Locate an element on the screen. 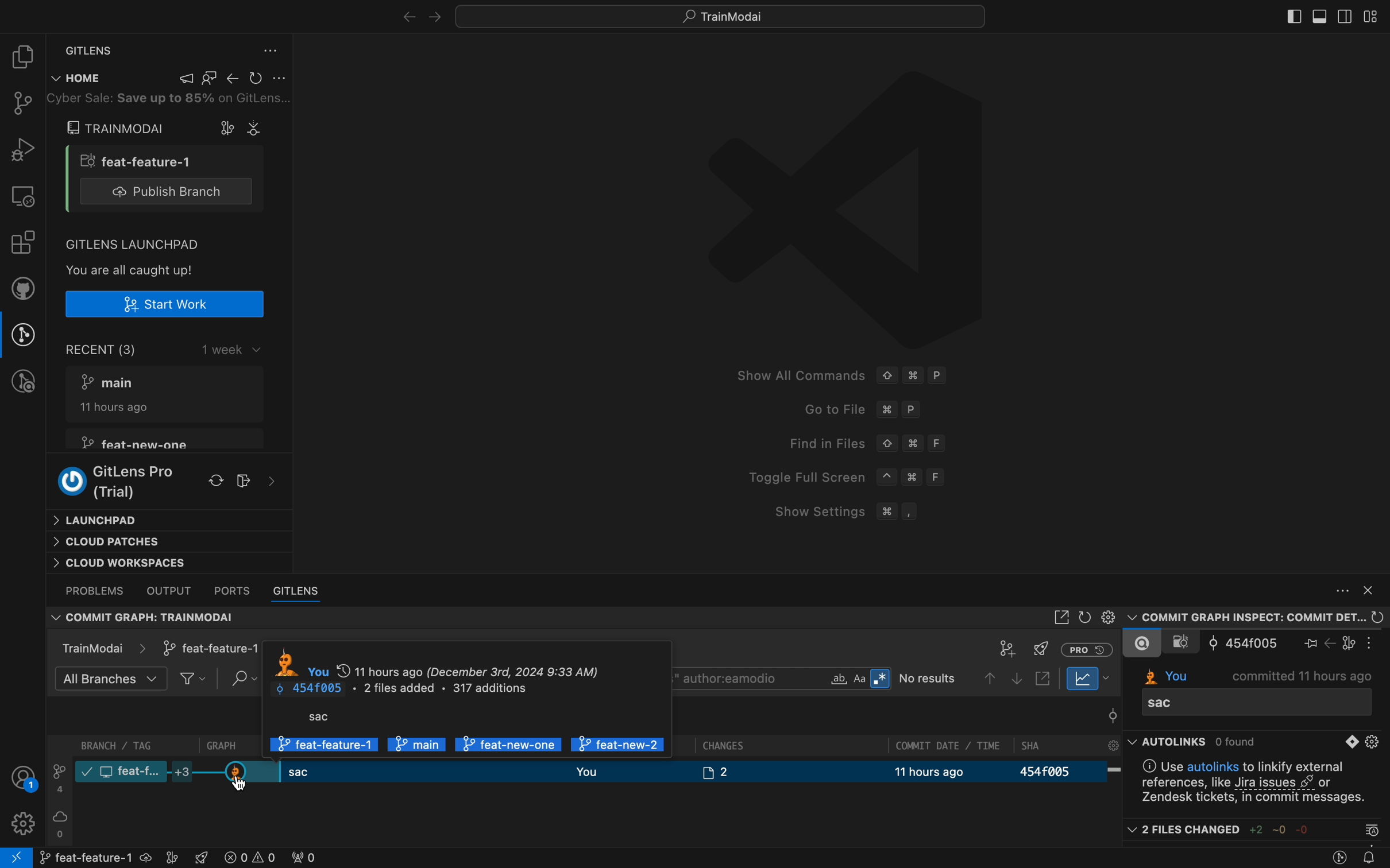 The image size is (1390, 868). git branch is located at coordinates (111, 858).